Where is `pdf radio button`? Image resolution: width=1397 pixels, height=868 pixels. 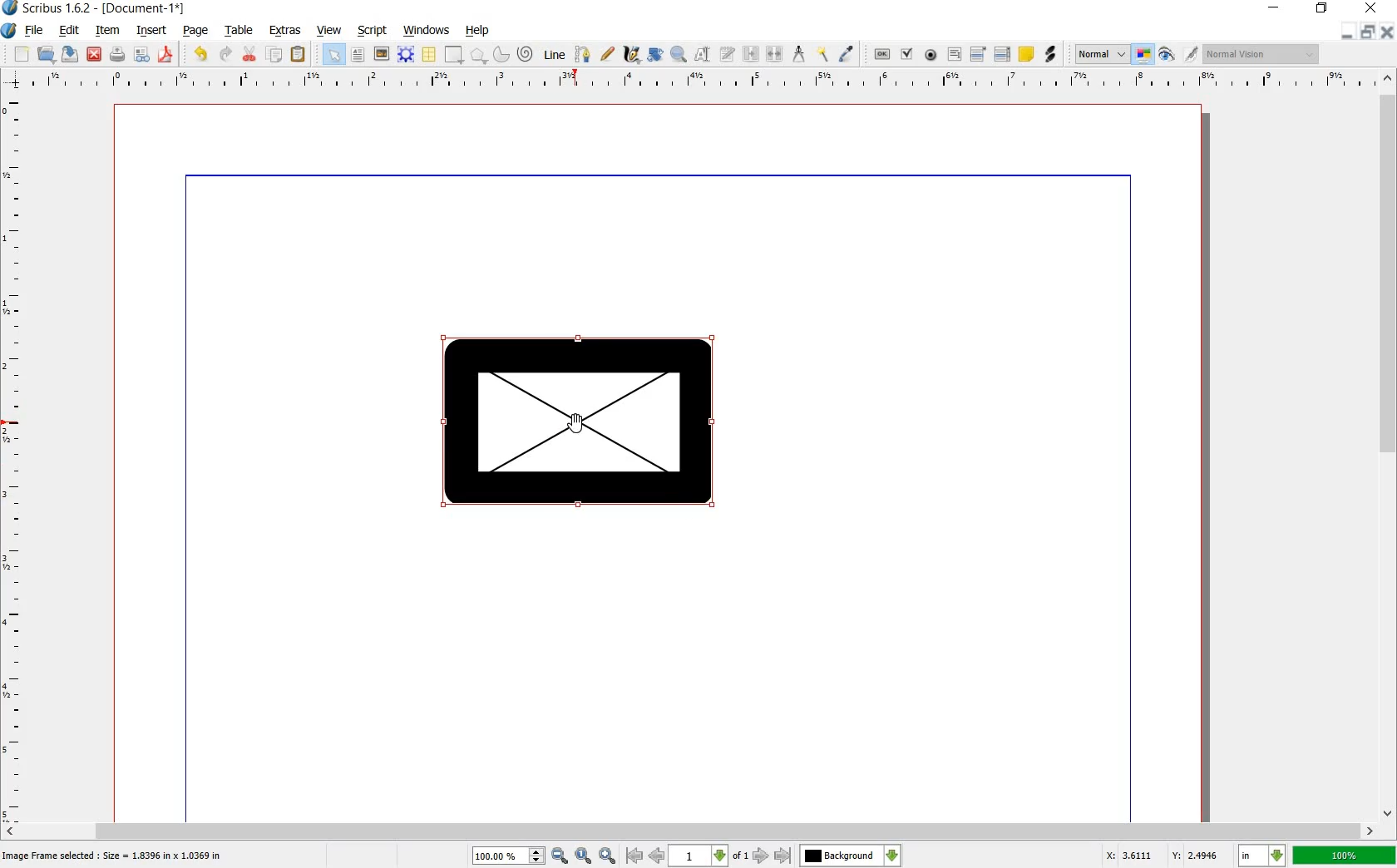
pdf radio button is located at coordinates (932, 55).